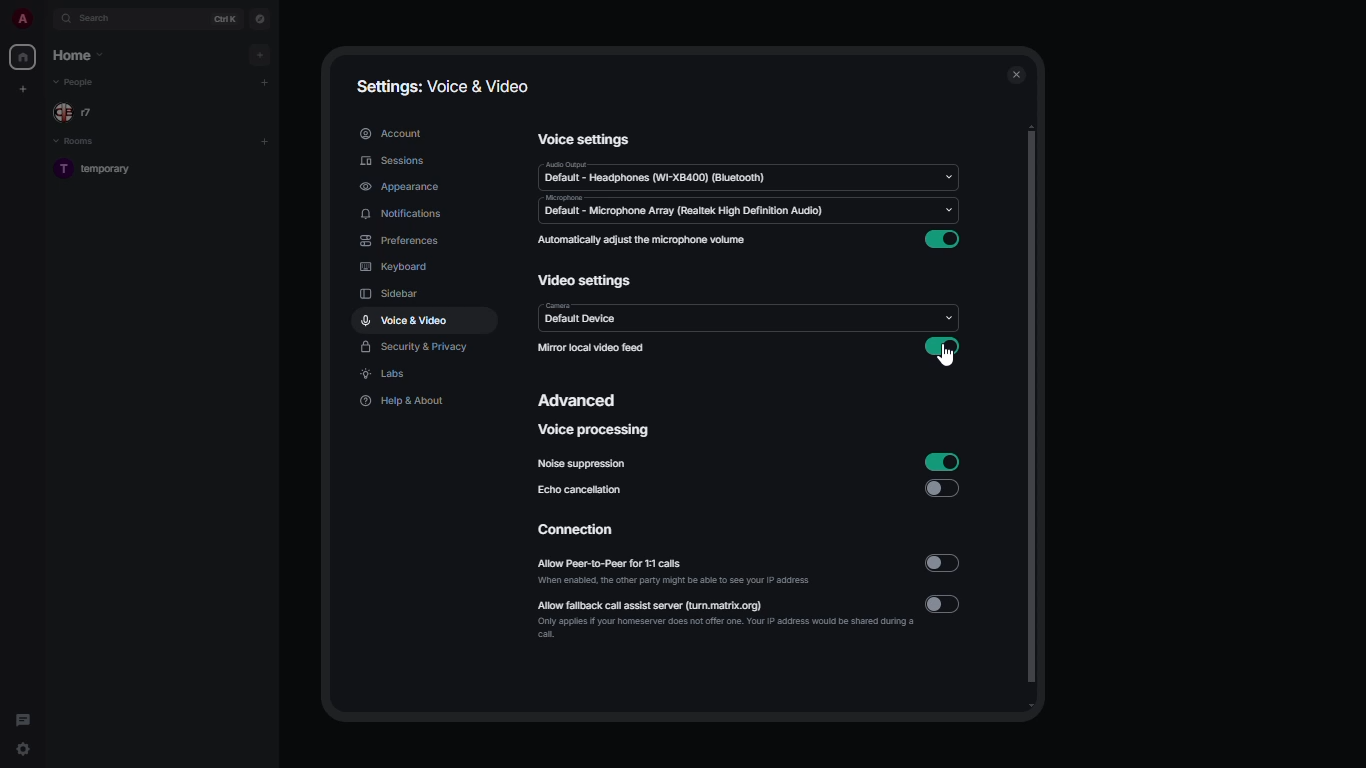 Image resolution: width=1366 pixels, height=768 pixels. I want to click on allow peer-to-peer for 1:1 calls, so click(673, 569).